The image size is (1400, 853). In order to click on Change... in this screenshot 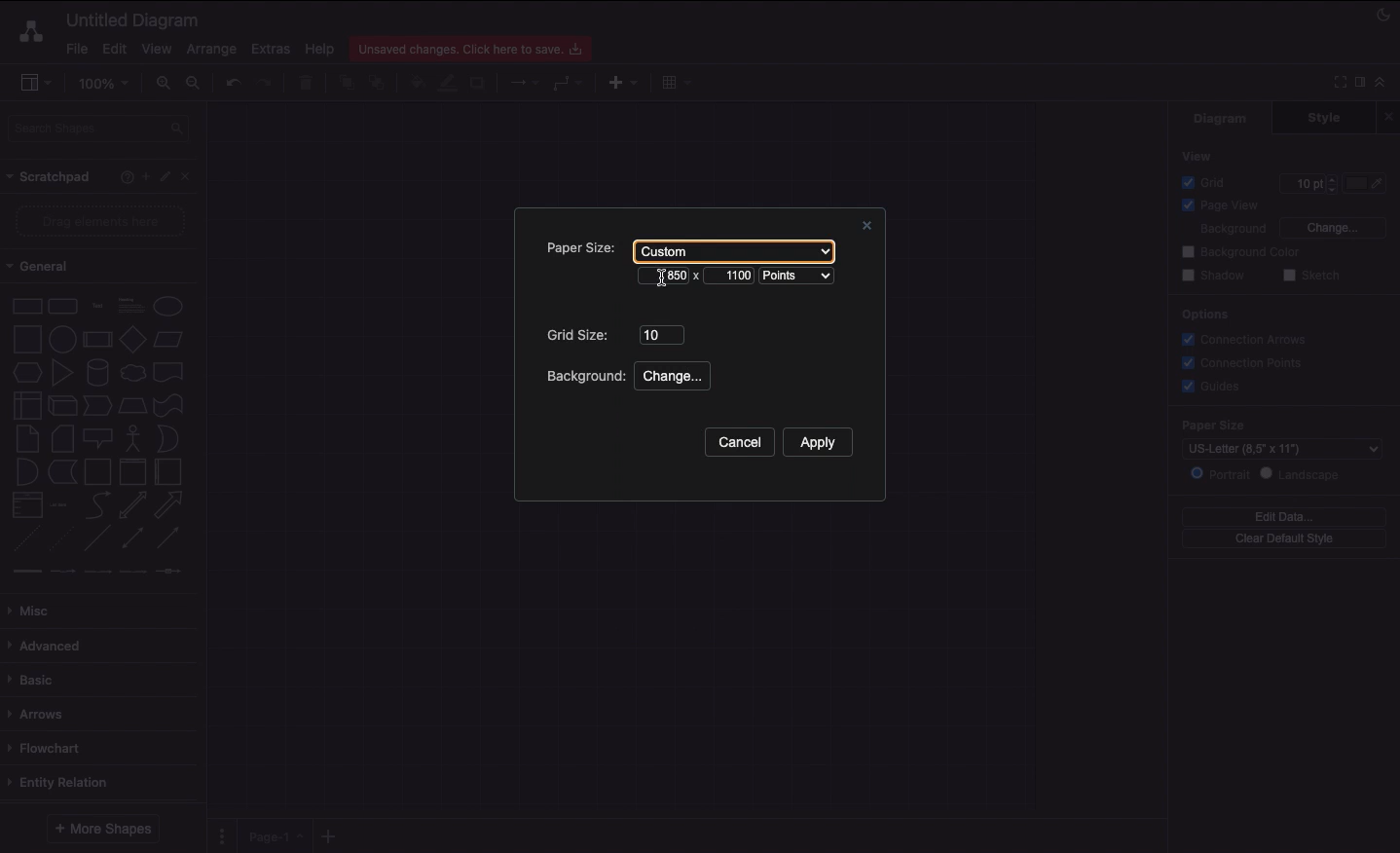, I will do `click(671, 376)`.